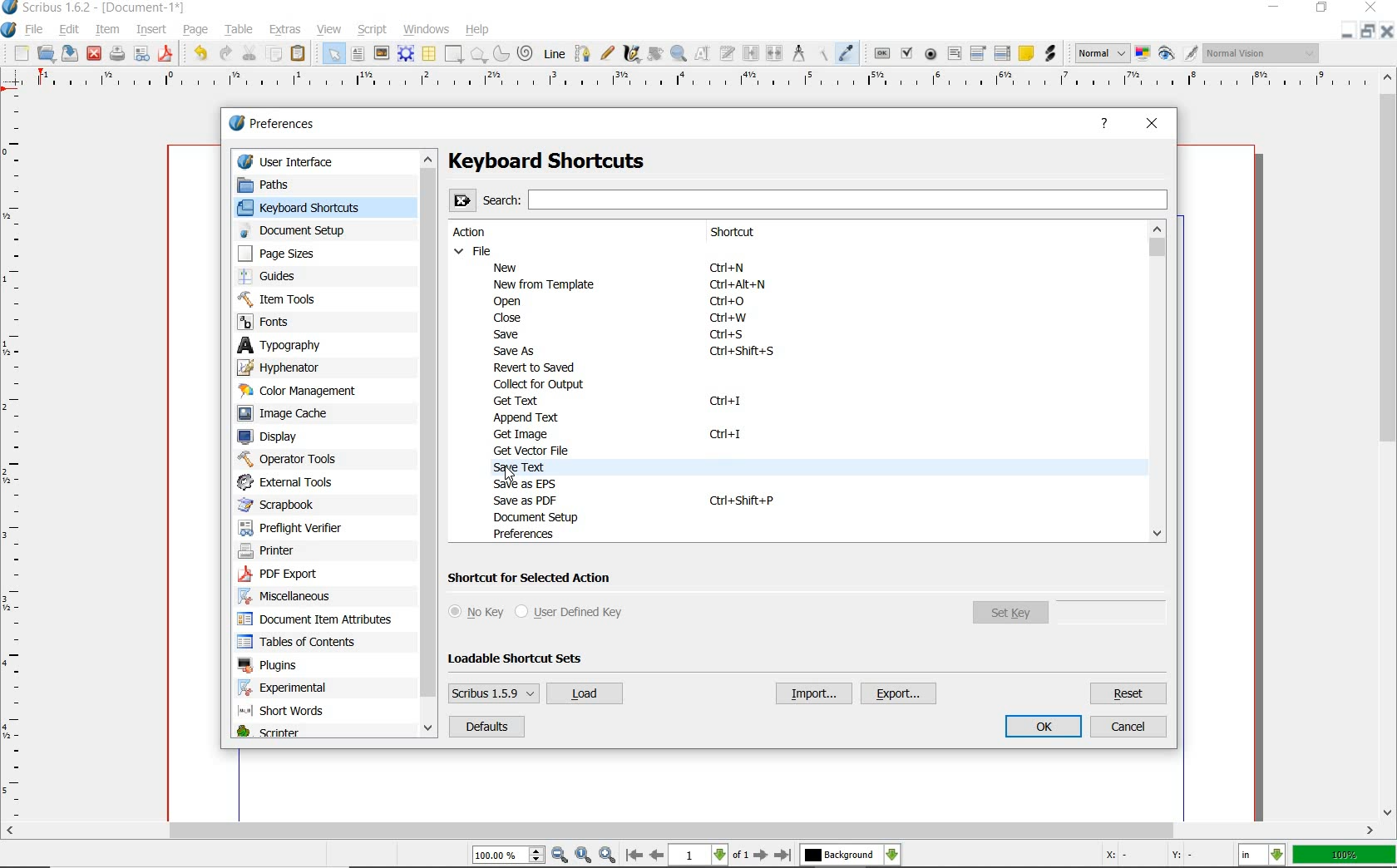  I want to click on text frame, so click(358, 53).